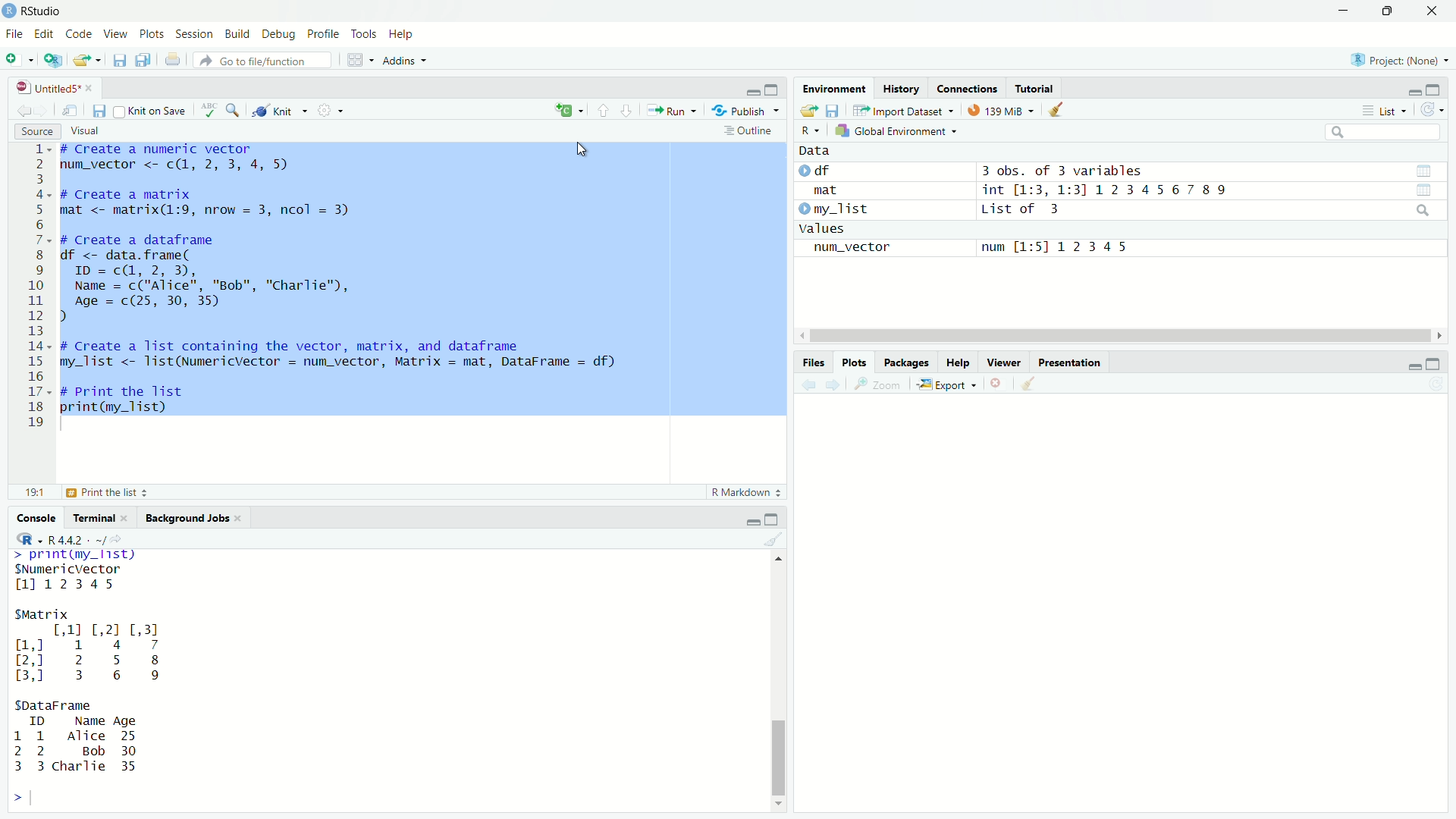 Image resolution: width=1456 pixels, height=819 pixels. I want to click on Files, so click(817, 362).